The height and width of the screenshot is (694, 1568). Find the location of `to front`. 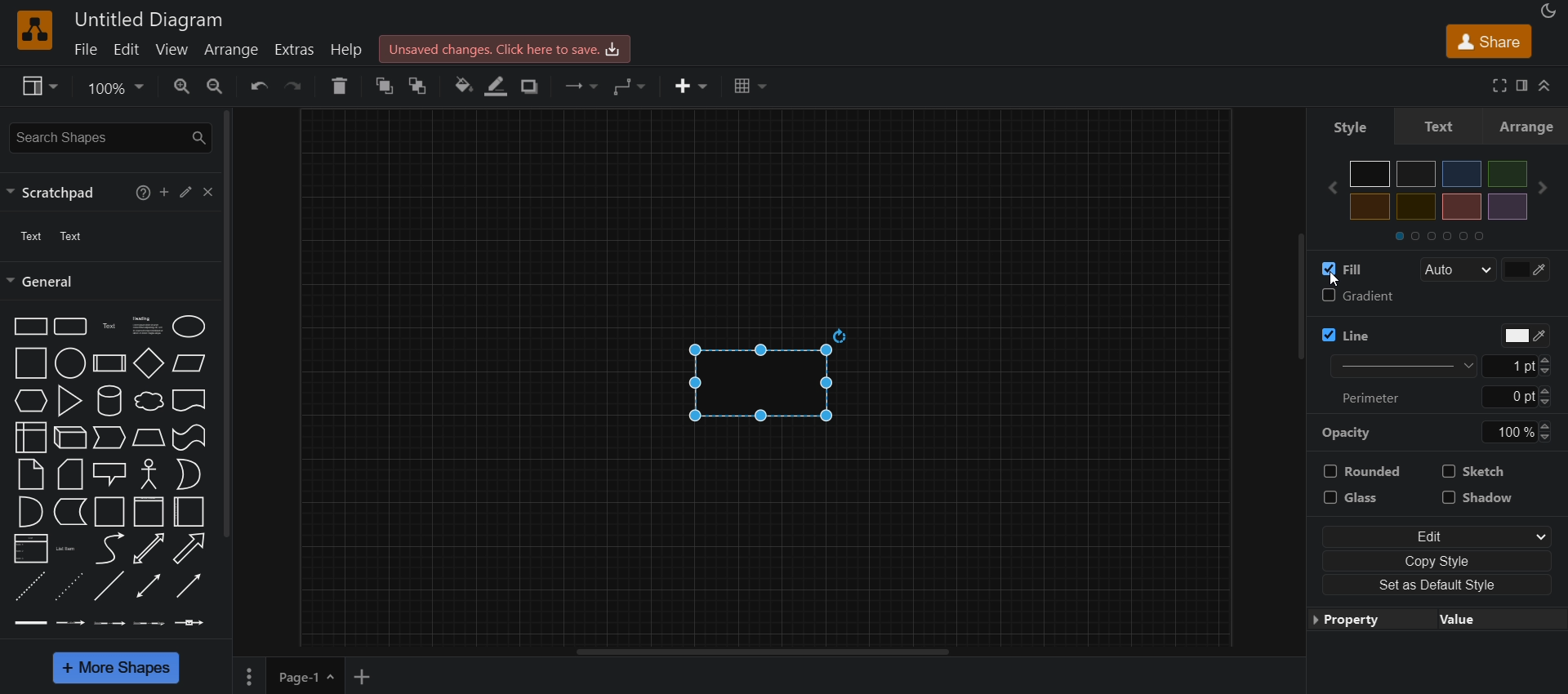

to front is located at coordinates (382, 85).